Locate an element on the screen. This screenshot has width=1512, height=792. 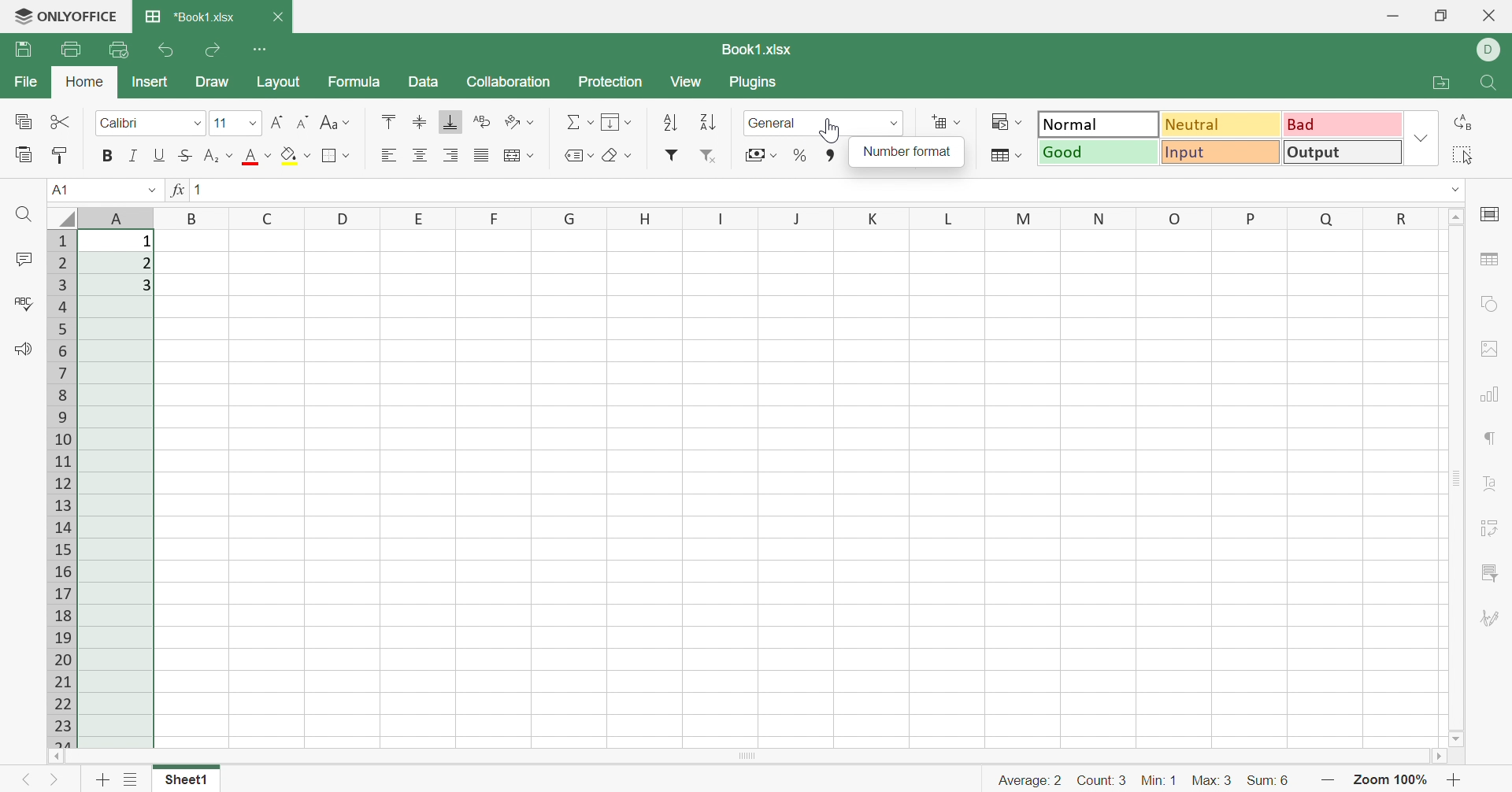
Output is located at coordinates (1345, 152).